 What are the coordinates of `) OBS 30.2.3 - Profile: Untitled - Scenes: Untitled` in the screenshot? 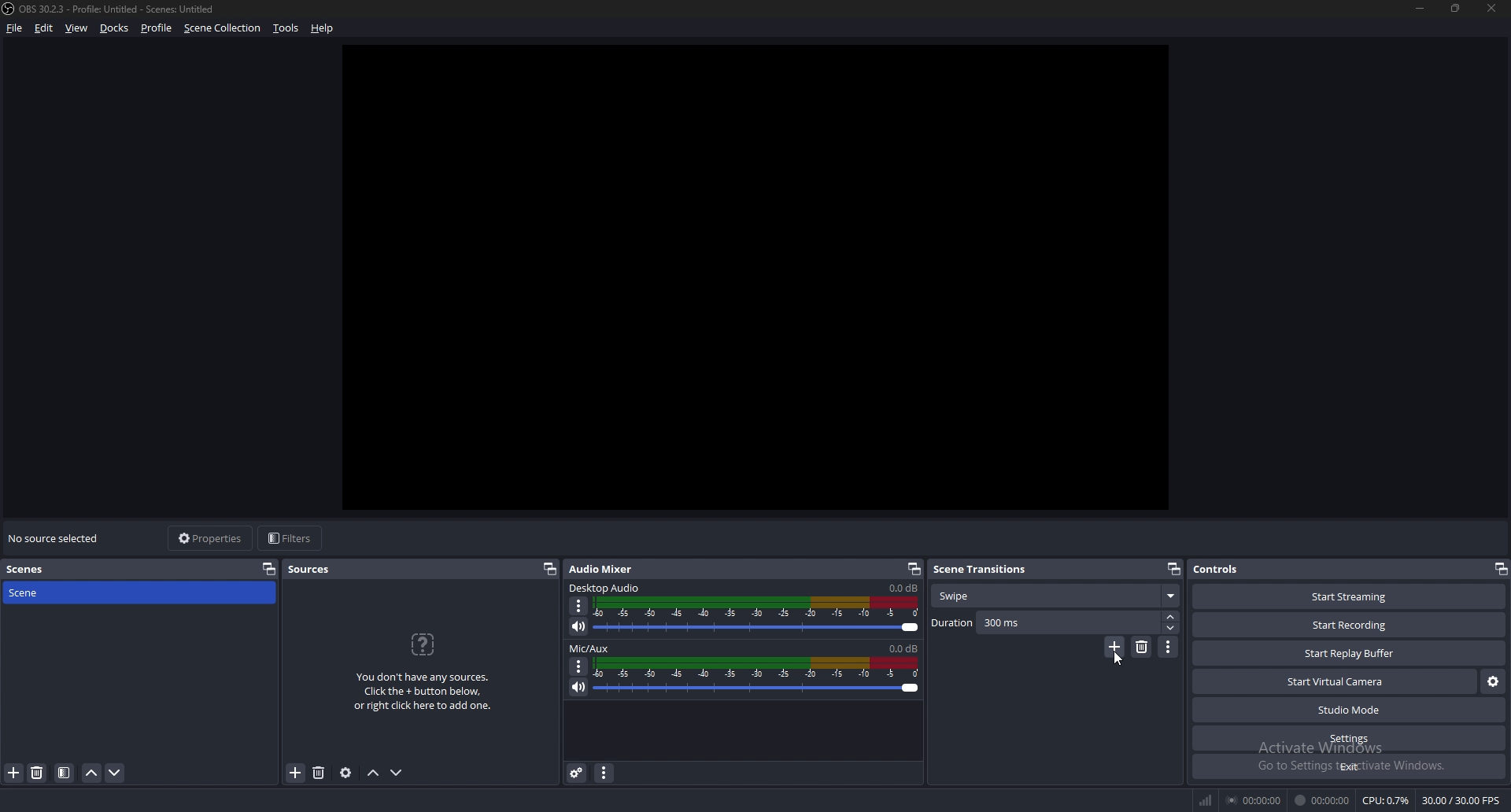 It's located at (126, 9).